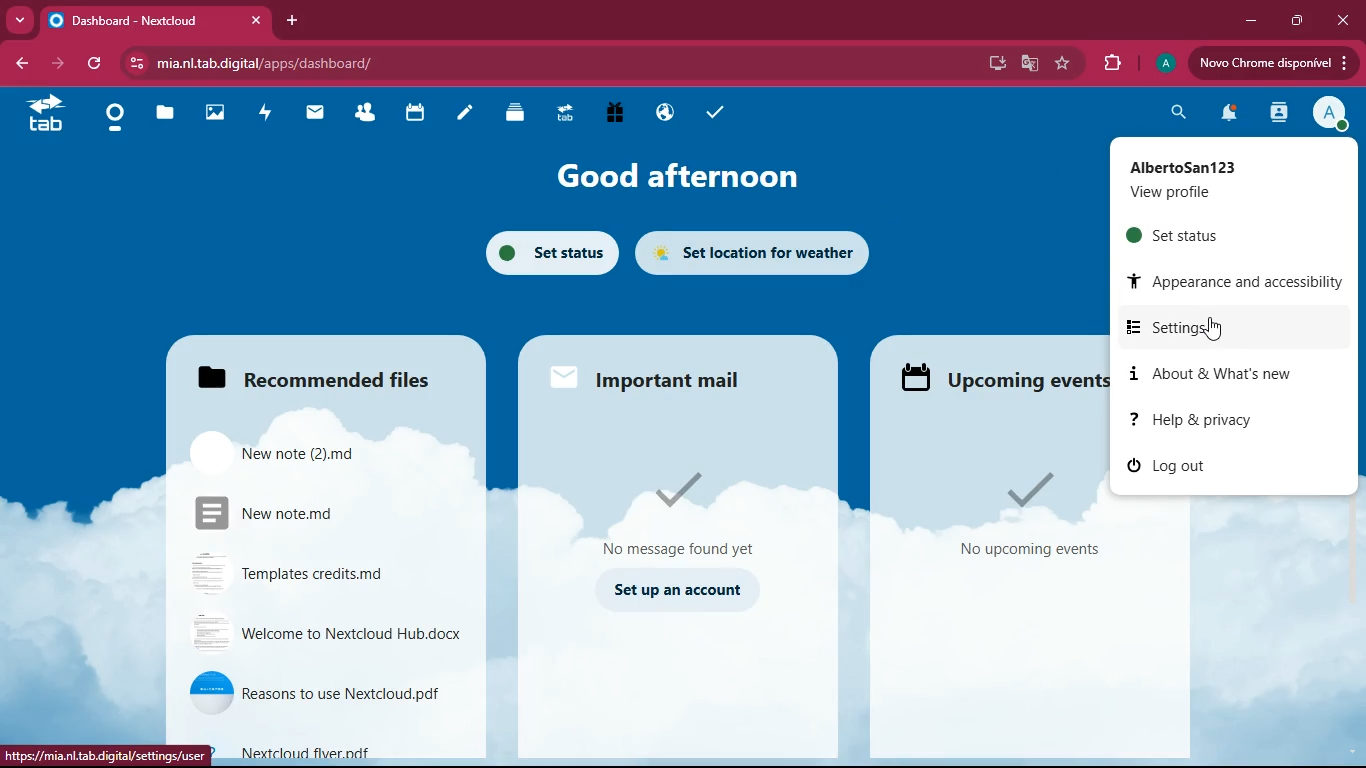 The image size is (1366, 768). Describe the element at coordinates (1227, 114) in the screenshot. I see `notifications` at that location.